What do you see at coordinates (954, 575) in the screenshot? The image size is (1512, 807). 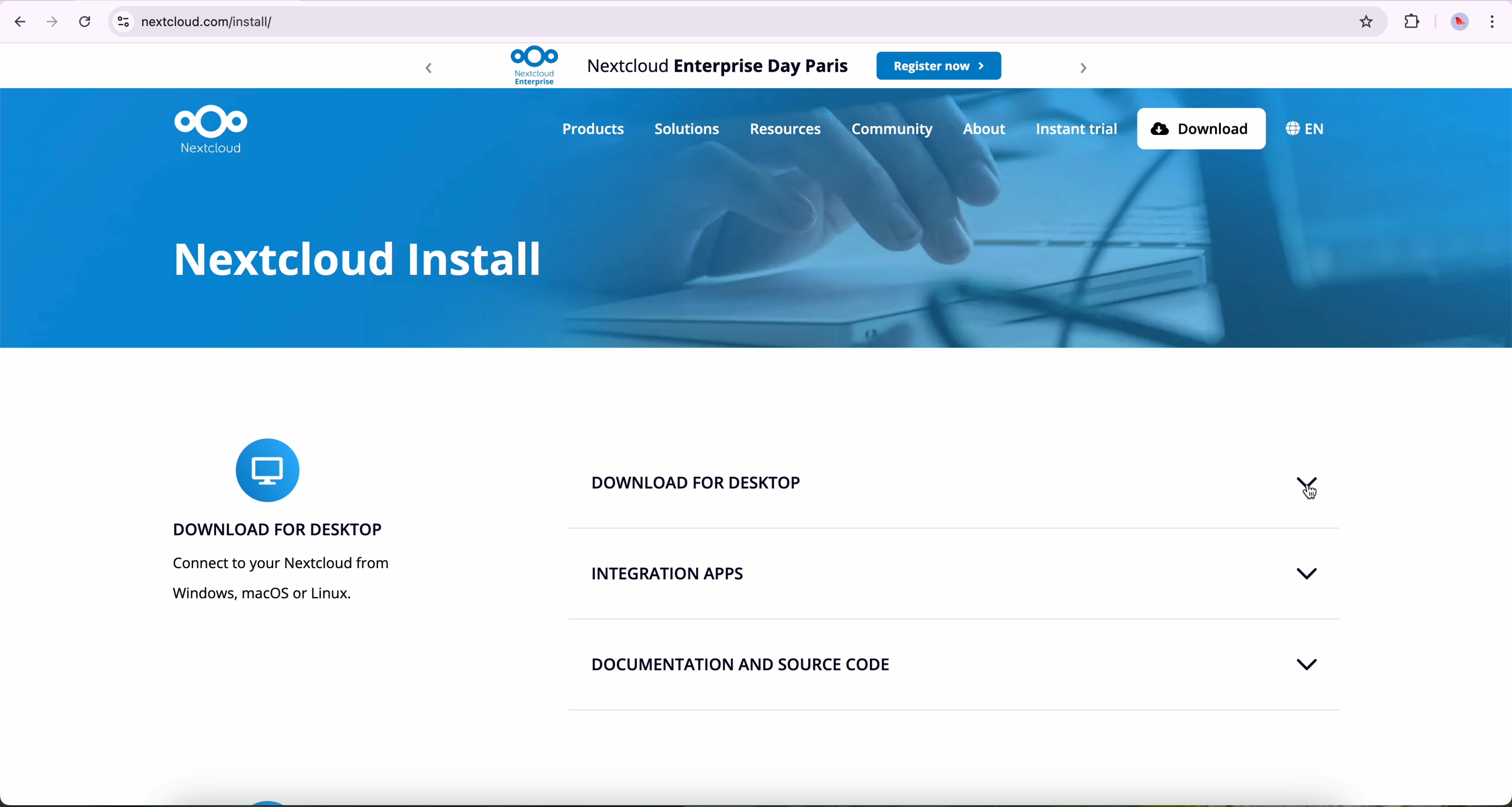 I see `integration apps` at bounding box center [954, 575].